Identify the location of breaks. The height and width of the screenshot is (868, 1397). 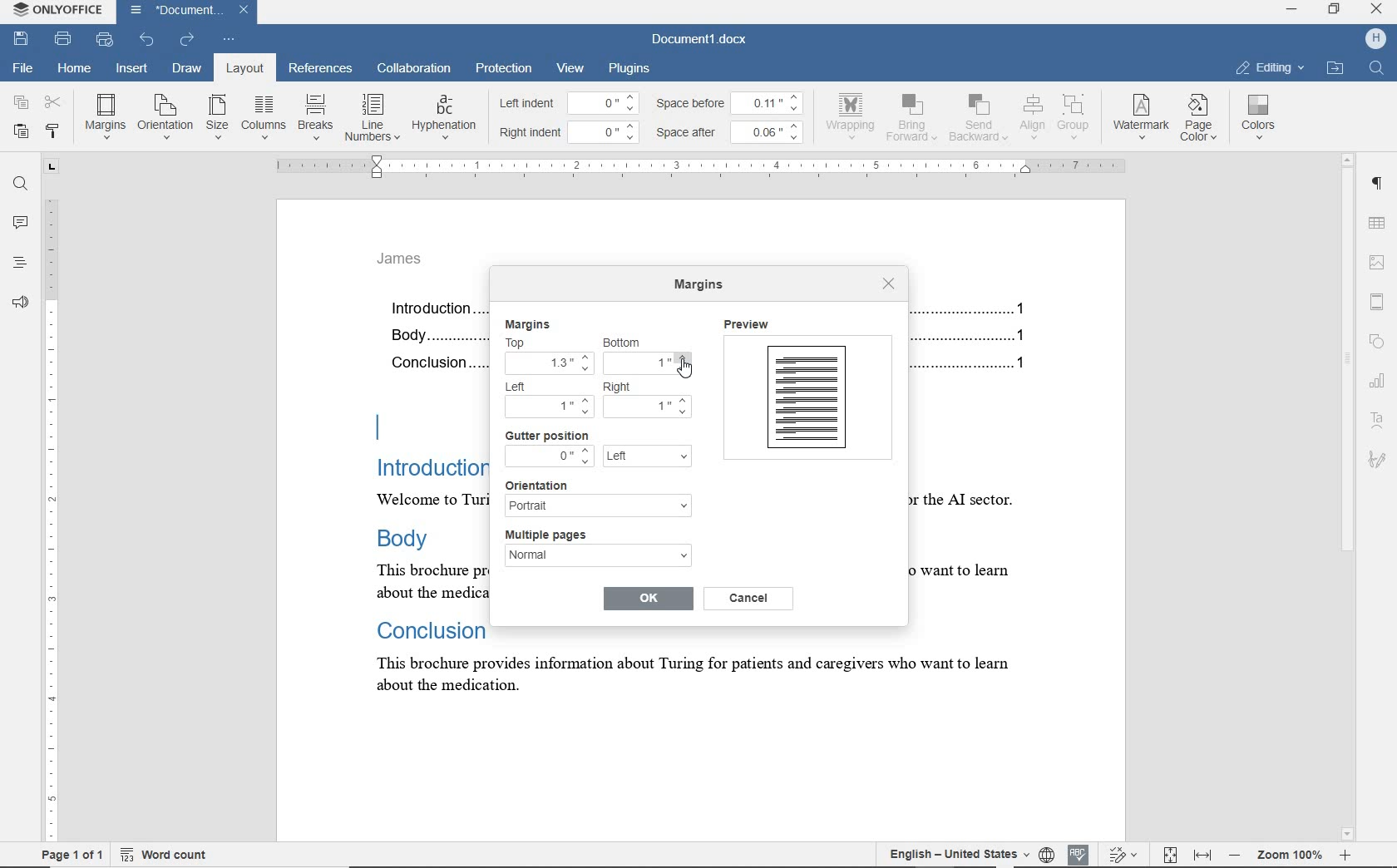
(313, 117).